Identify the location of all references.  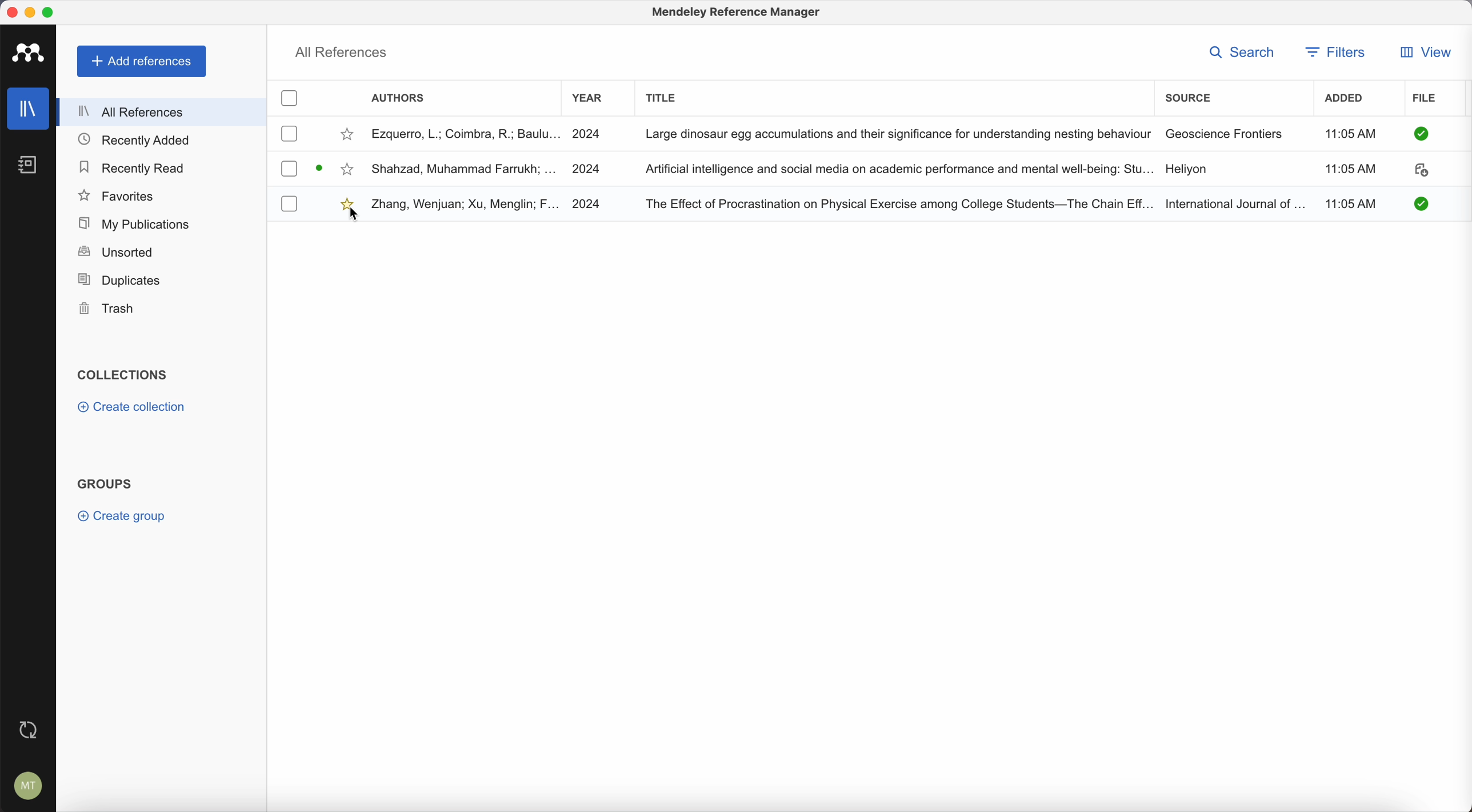
(163, 111).